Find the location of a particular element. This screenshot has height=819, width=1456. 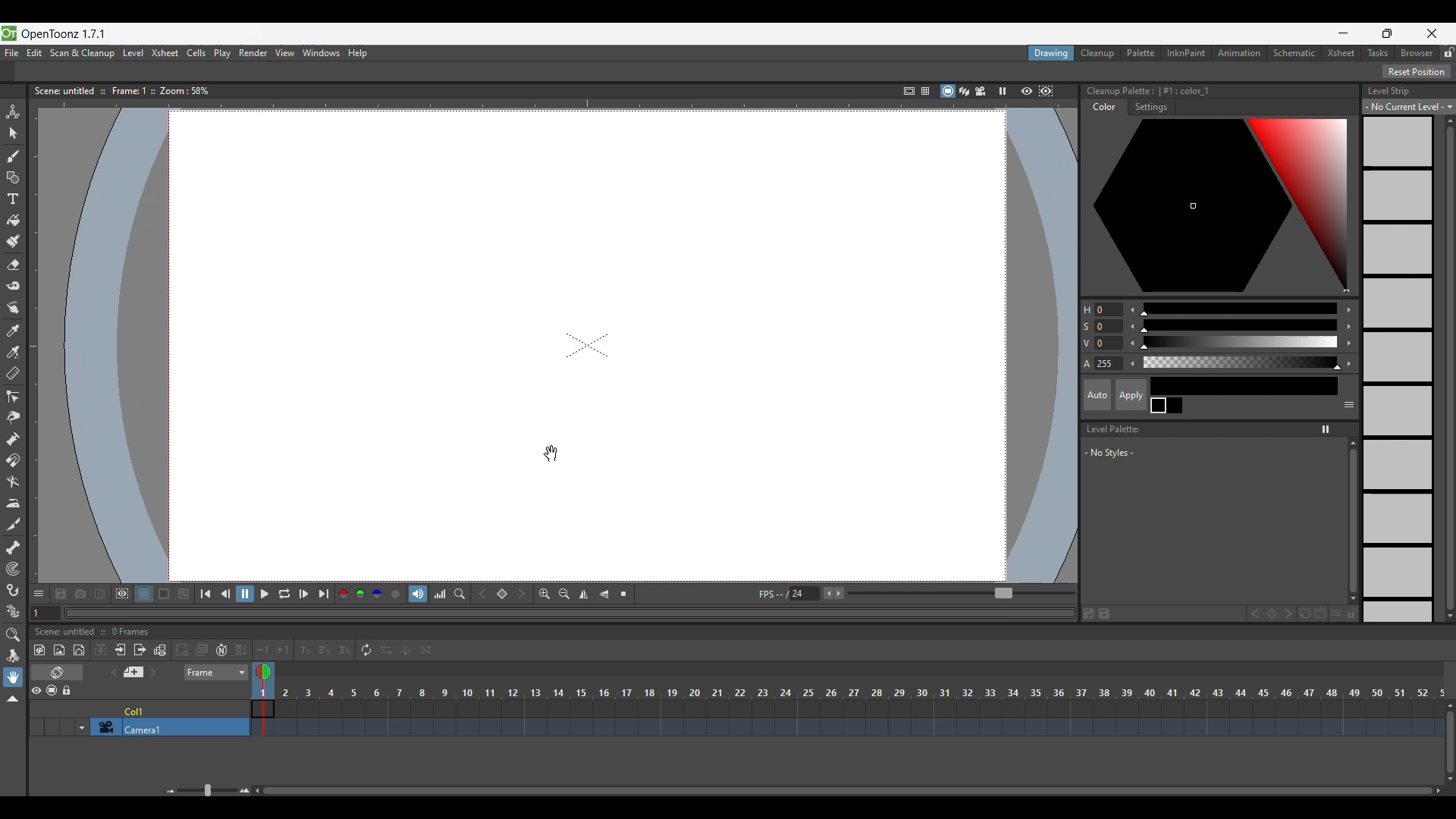

Tracker tool is located at coordinates (13, 569).